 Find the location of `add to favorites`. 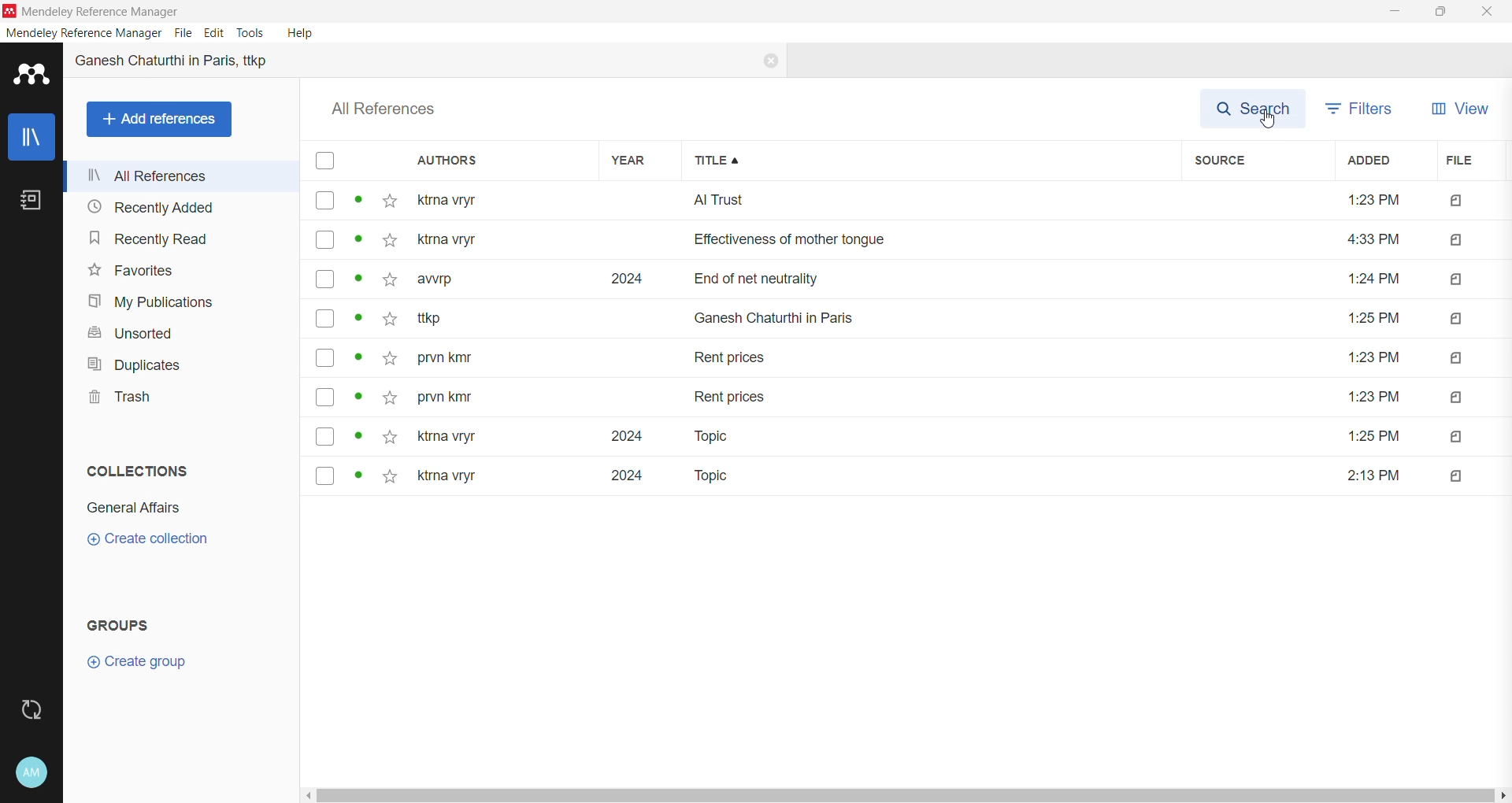

add to favorites is located at coordinates (391, 240).